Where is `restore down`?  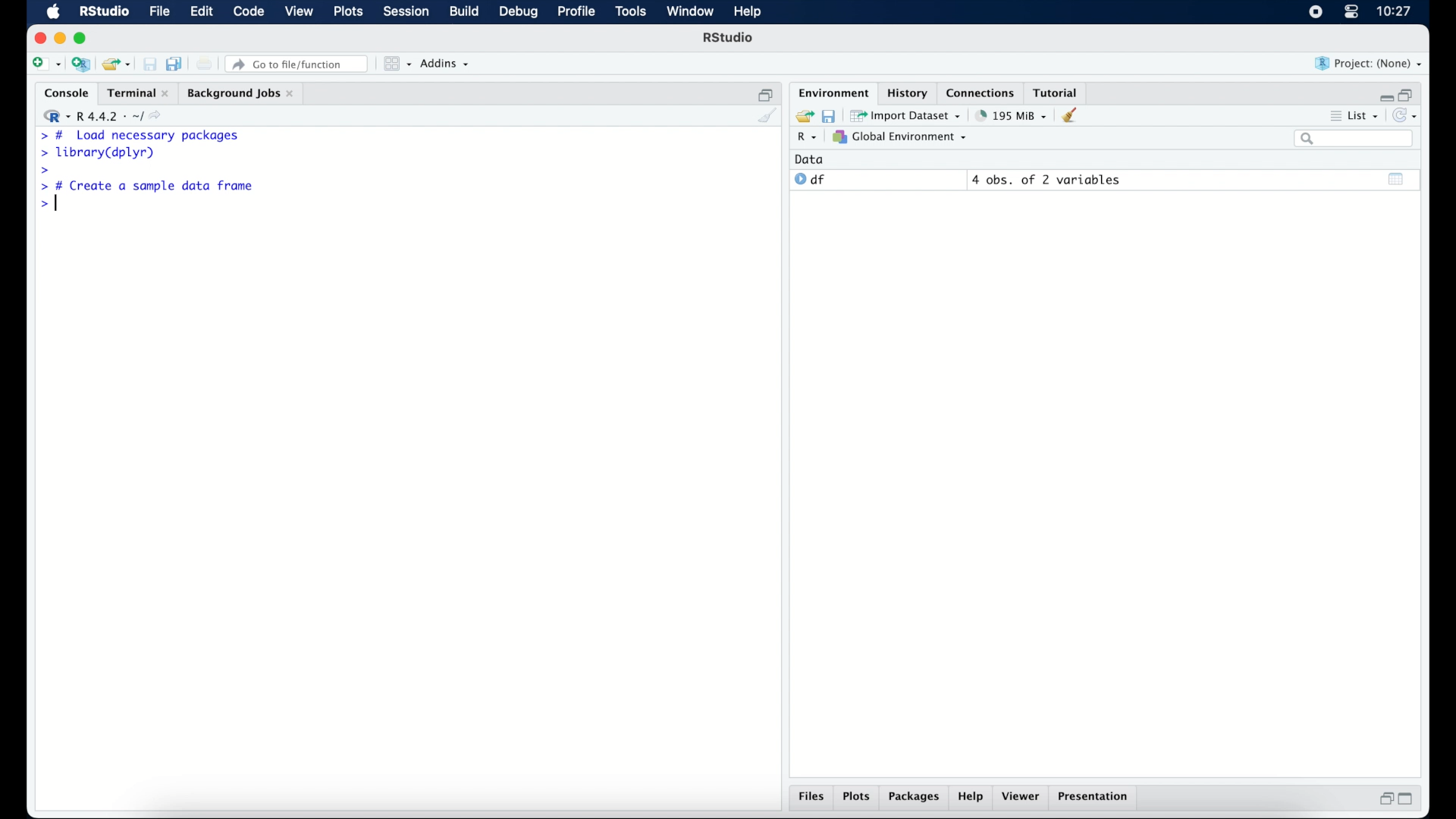
restore down is located at coordinates (1409, 93).